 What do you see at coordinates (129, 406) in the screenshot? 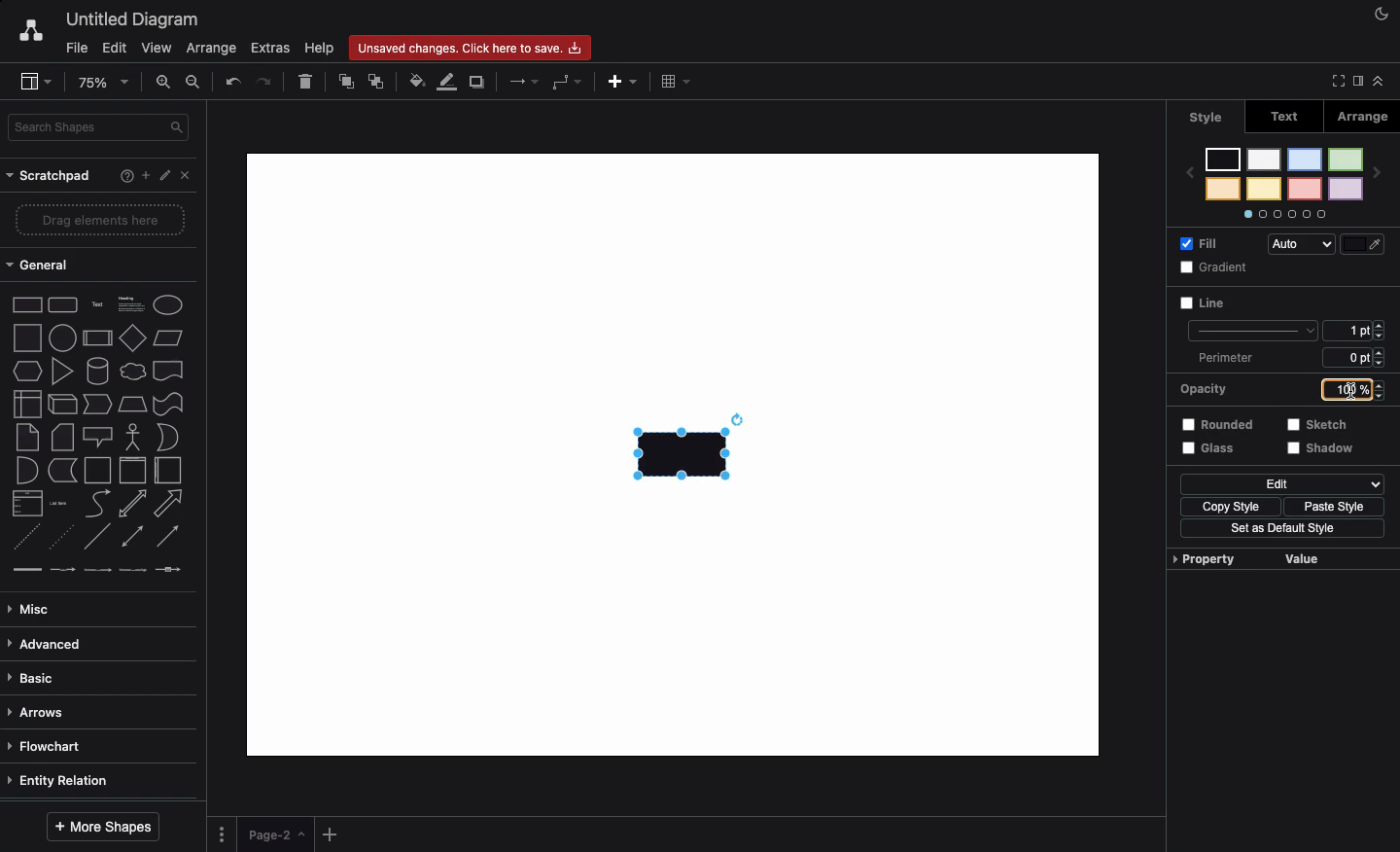
I see `trapezoid` at bounding box center [129, 406].